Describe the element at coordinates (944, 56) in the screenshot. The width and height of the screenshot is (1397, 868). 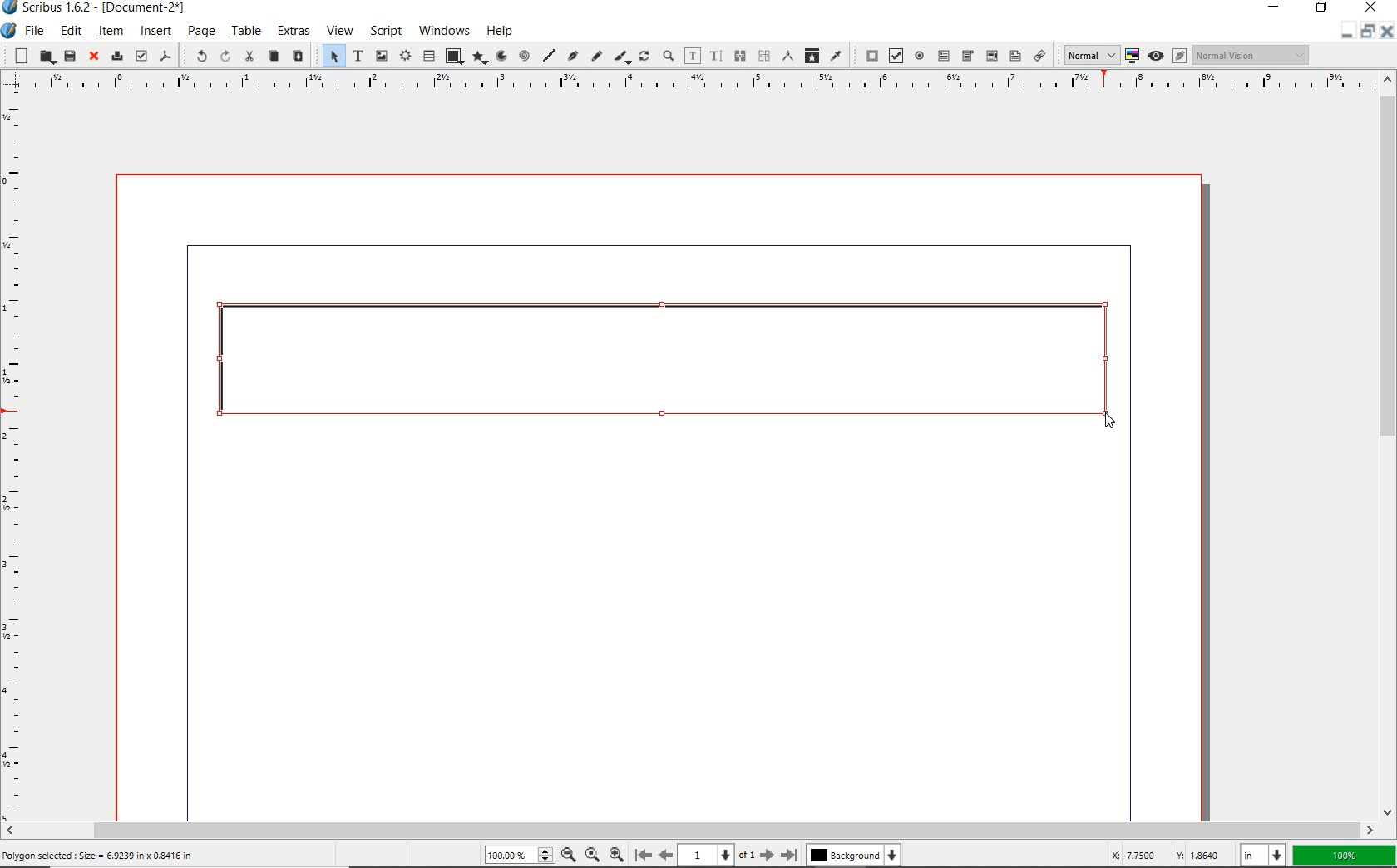
I see `pdf text field` at that location.